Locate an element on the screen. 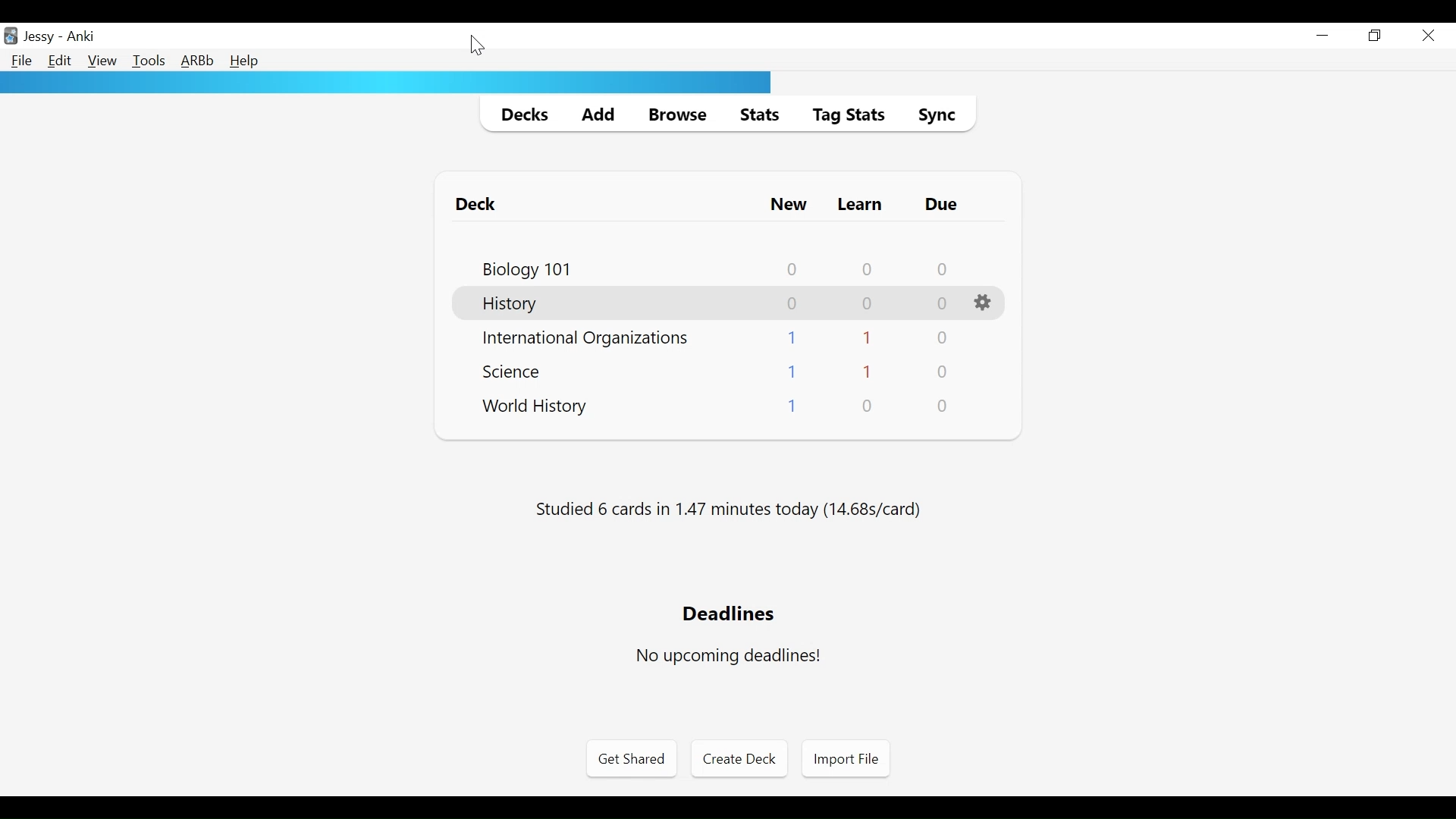 This screenshot has width=1456, height=819. Deck Name is located at coordinates (526, 269).